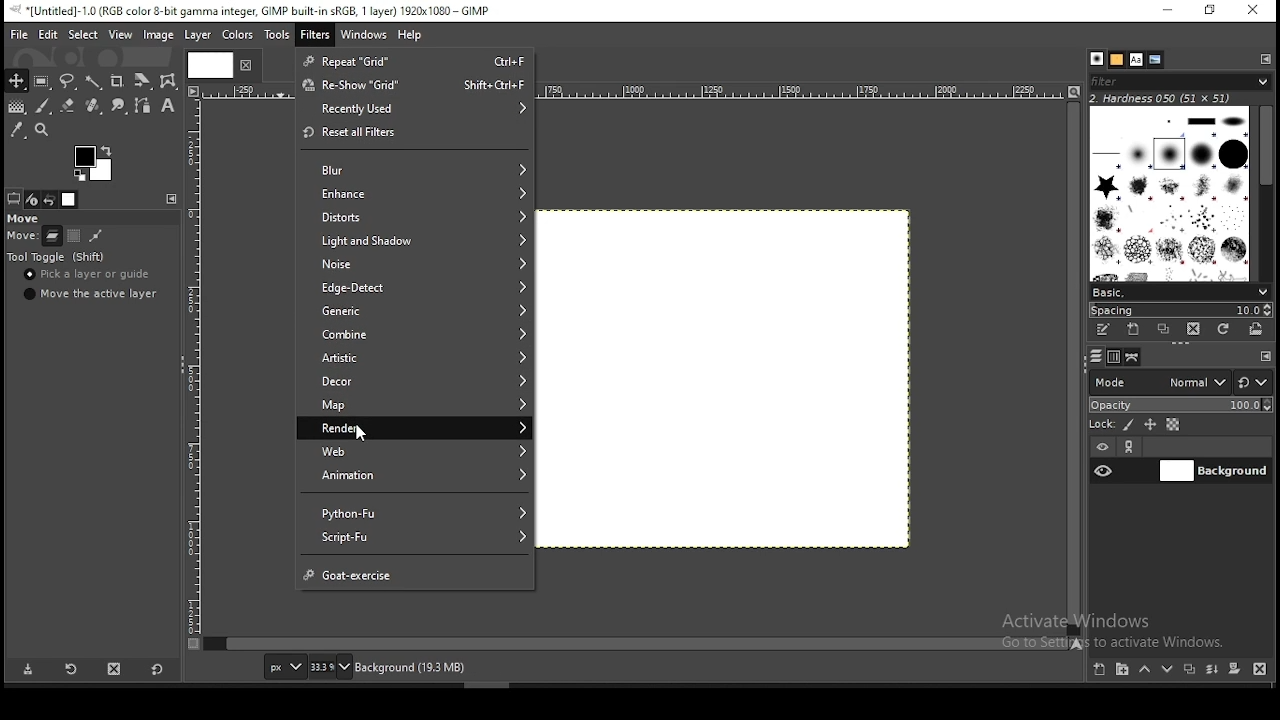 The width and height of the screenshot is (1280, 720). I want to click on wrap transform, so click(168, 80).